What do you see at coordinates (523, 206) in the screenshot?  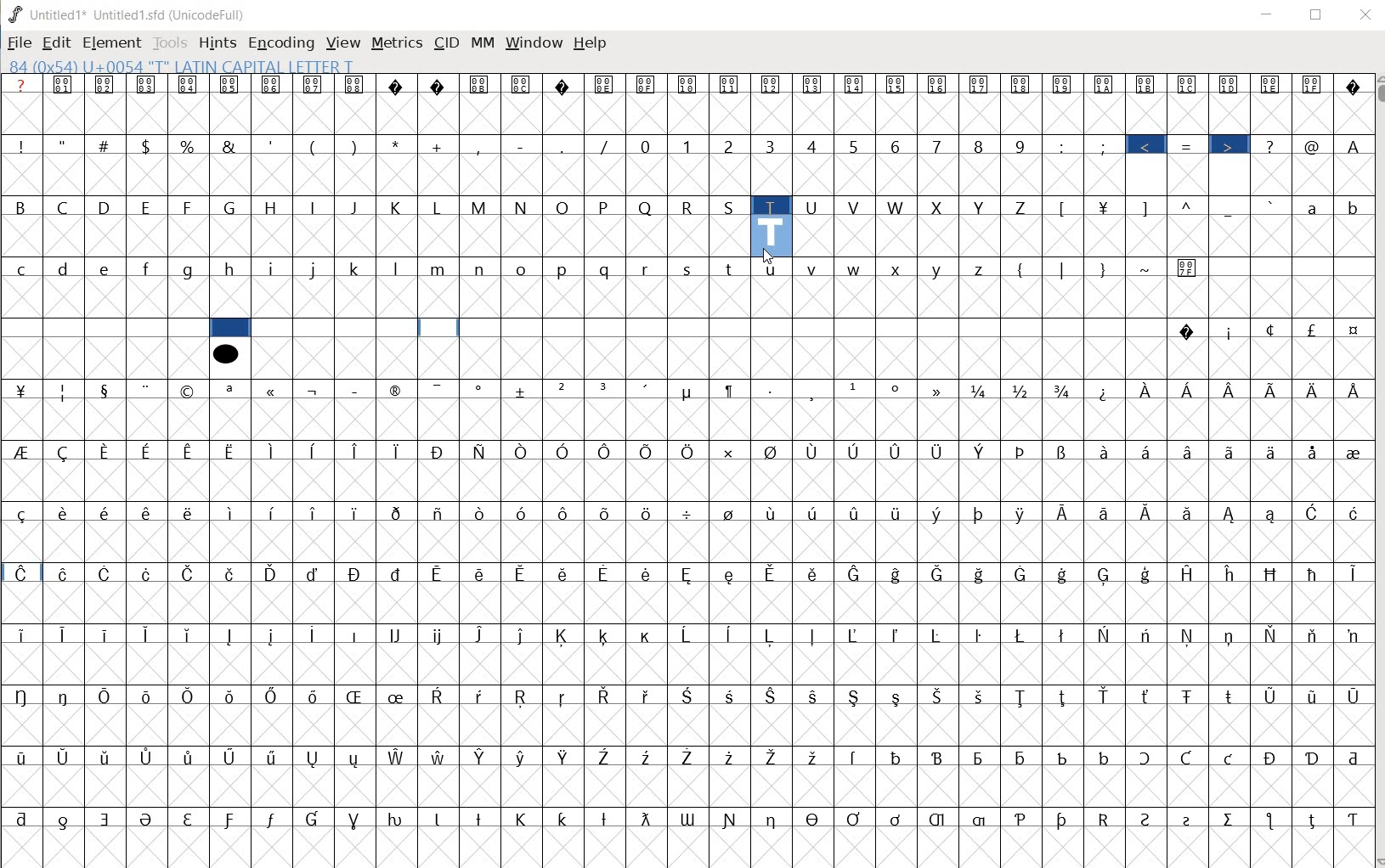 I see `N` at bounding box center [523, 206].